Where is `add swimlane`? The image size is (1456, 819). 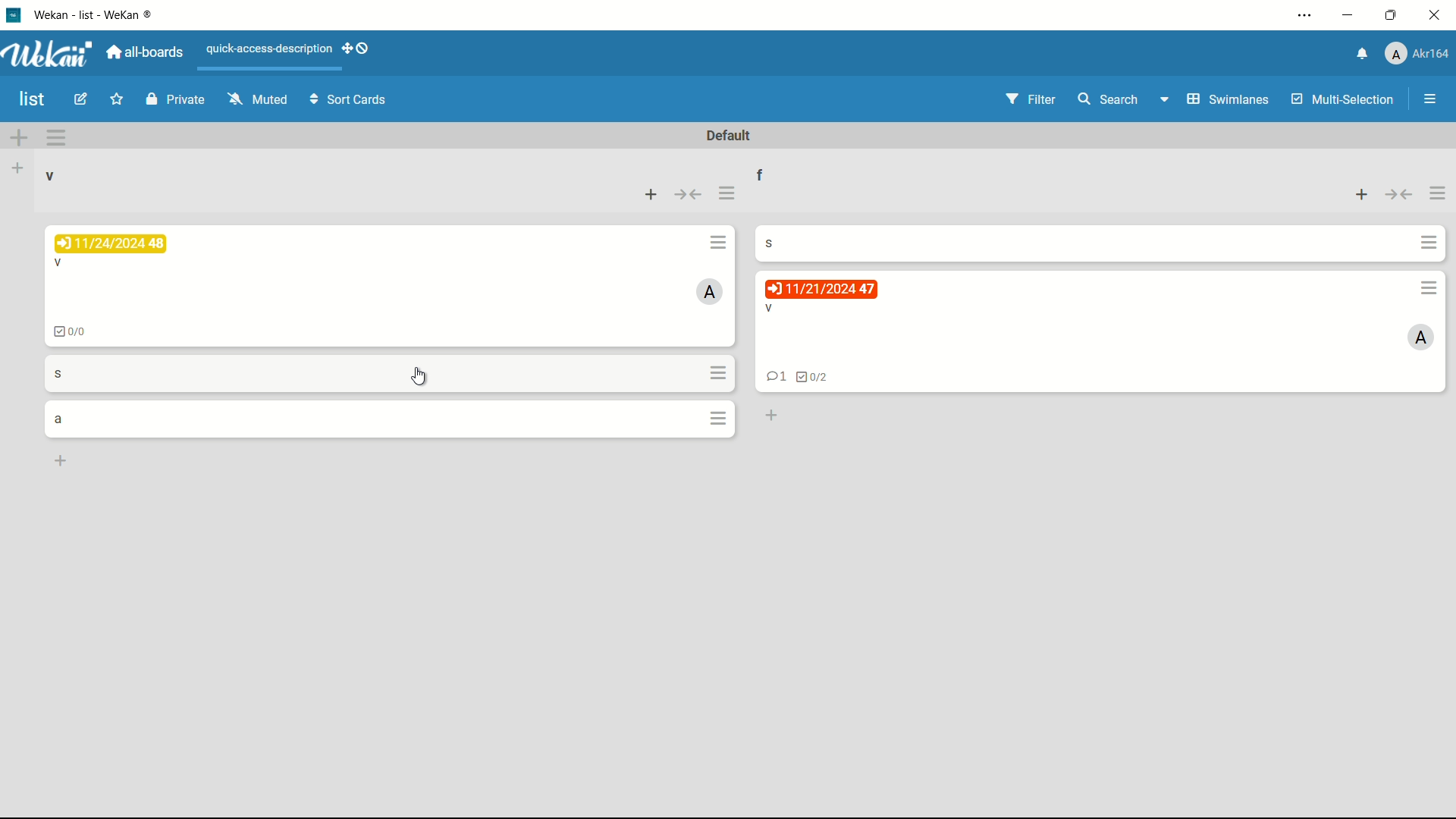 add swimlane is located at coordinates (17, 138).